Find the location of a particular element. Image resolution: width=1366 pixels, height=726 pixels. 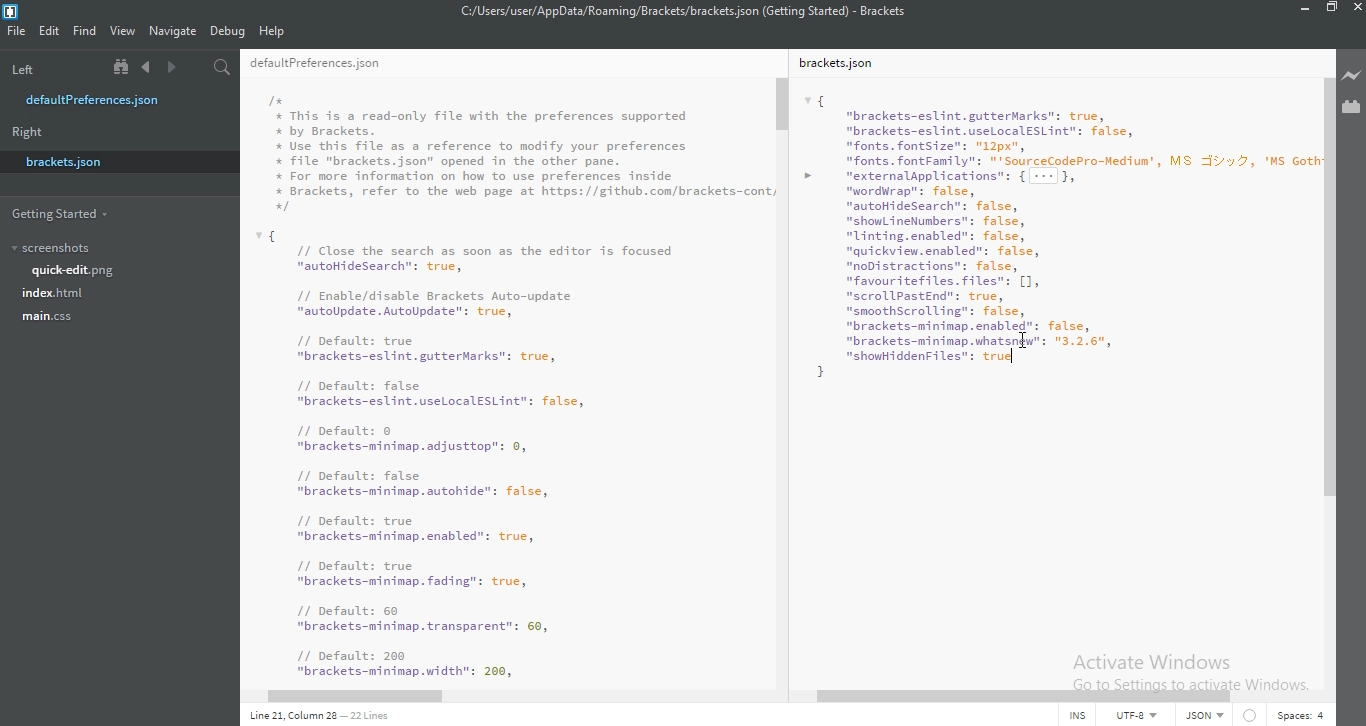

brackets.json is located at coordinates (62, 162).